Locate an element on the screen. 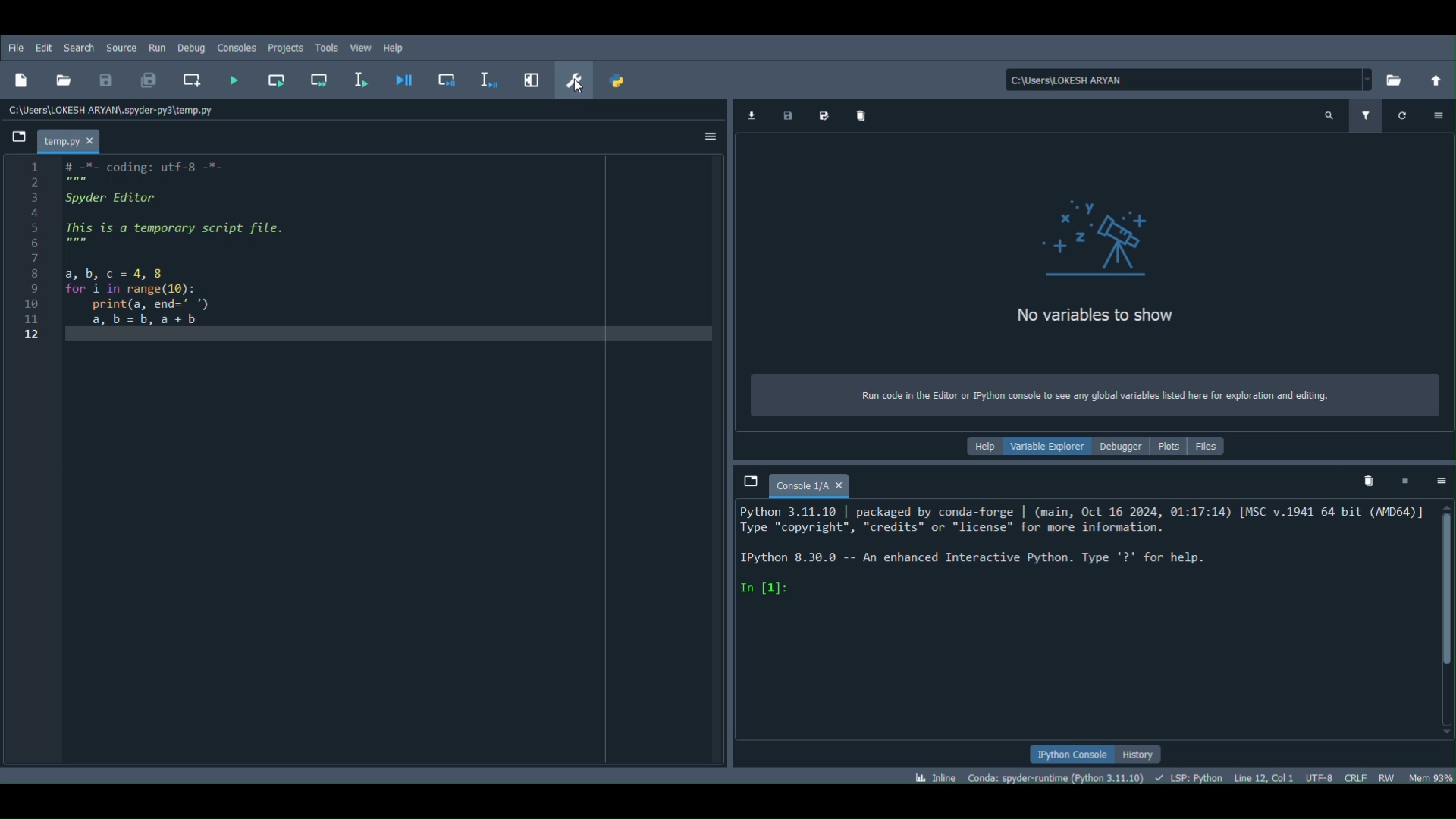 Image resolution: width=1456 pixels, height=819 pixels. Encoding is located at coordinates (1323, 777).